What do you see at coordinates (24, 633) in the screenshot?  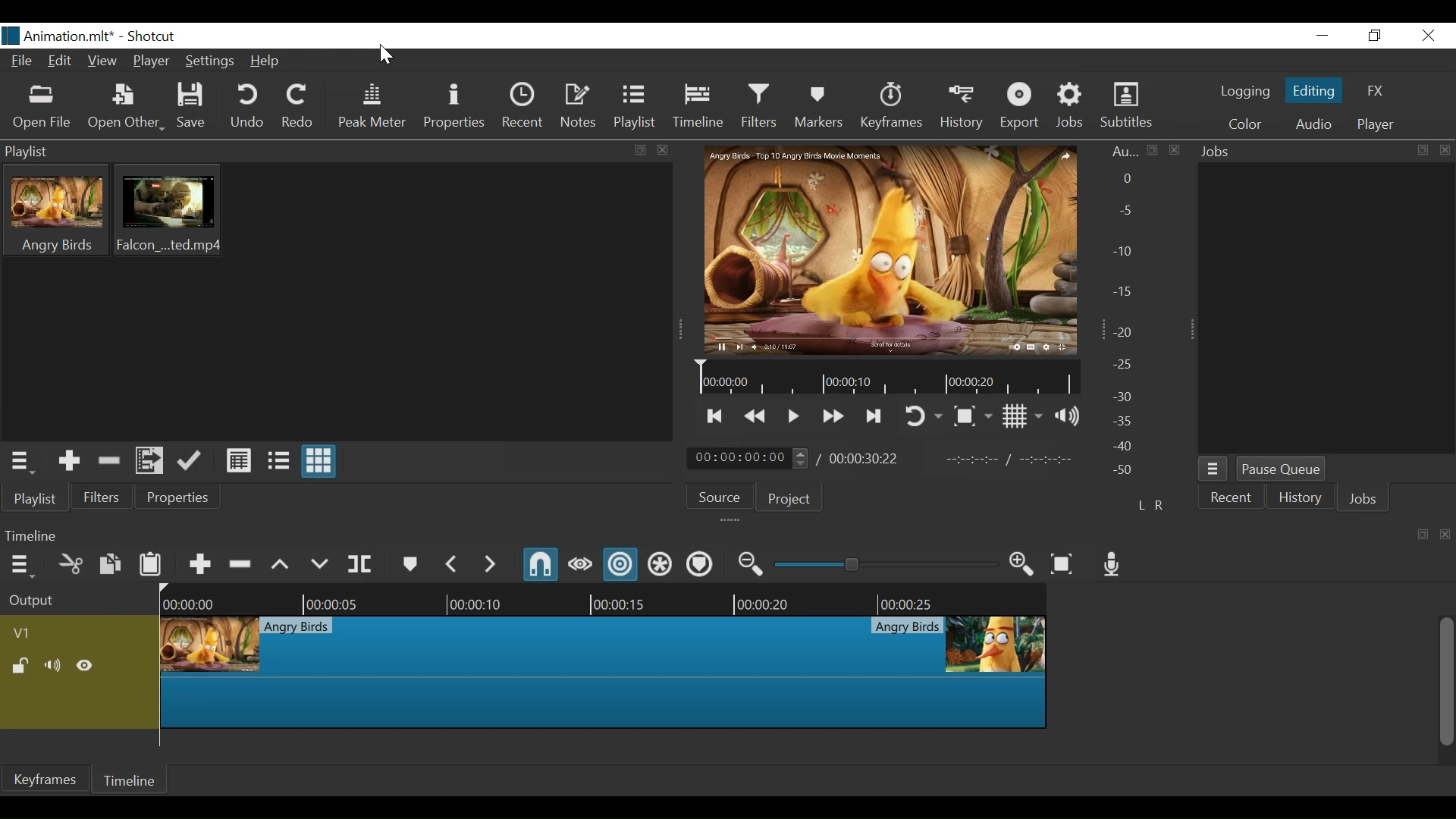 I see `Track Header` at bounding box center [24, 633].